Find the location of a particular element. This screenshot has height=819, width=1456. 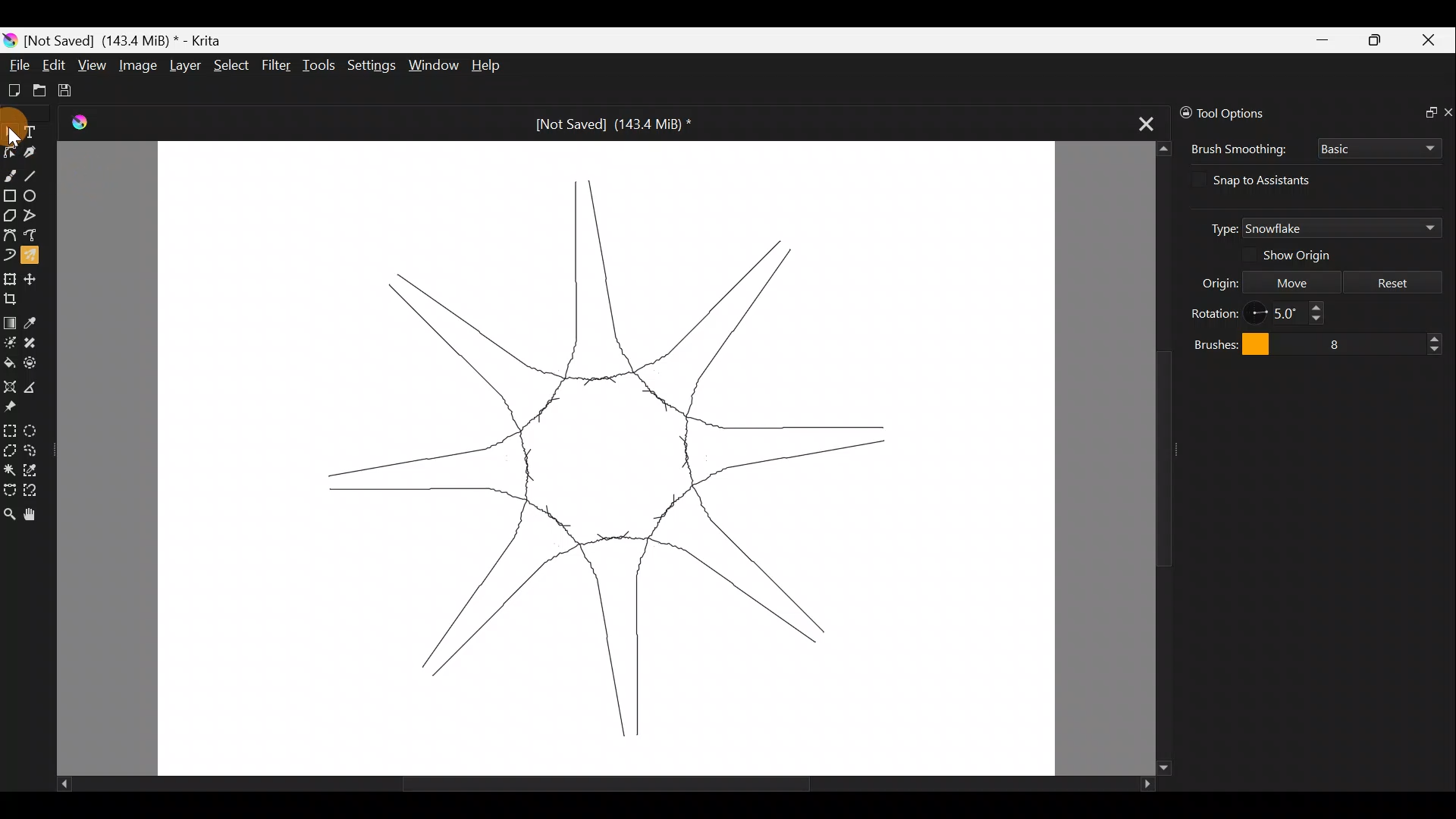

Snap to assistants is located at coordinates (1275, 180).